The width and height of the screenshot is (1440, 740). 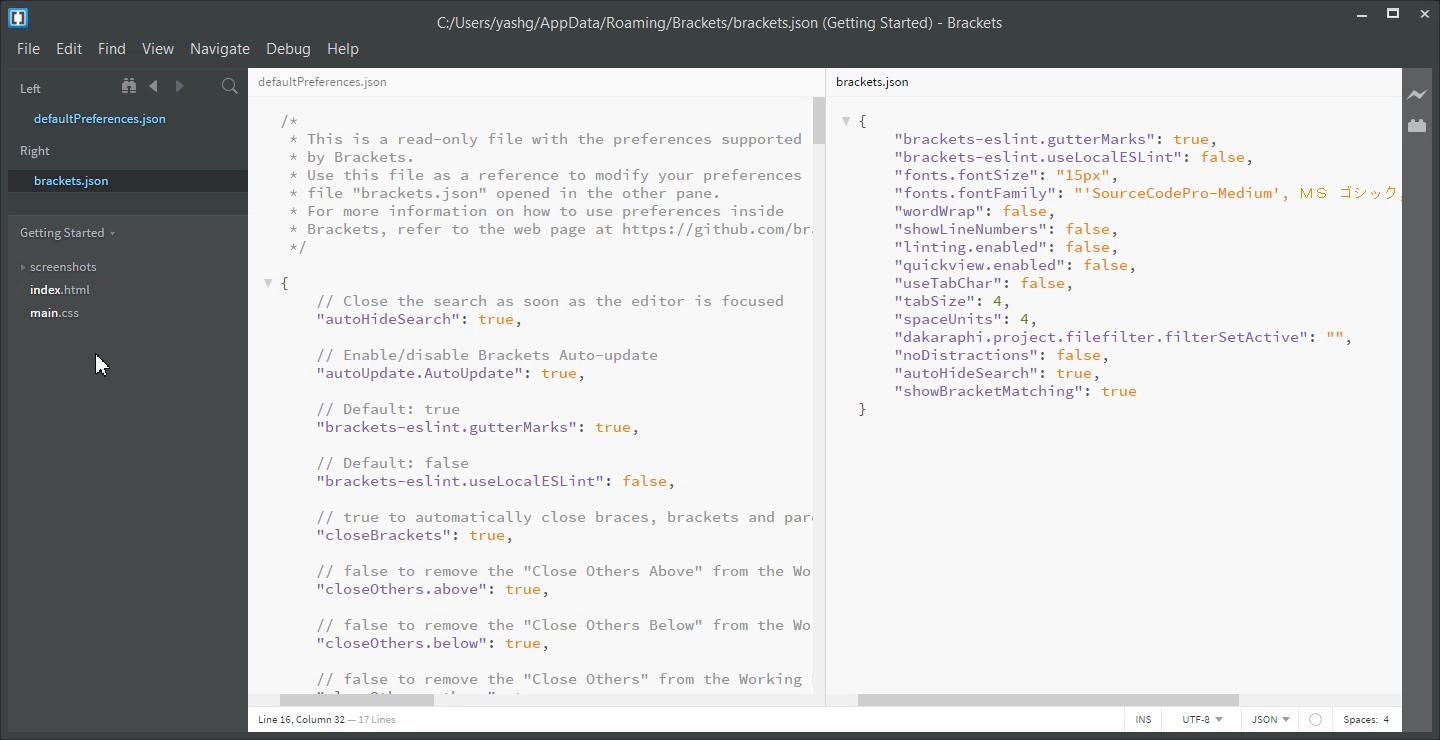 What do you see at coordinates (723, 24) in the screenshot?
I see `C:/Users/yashg/AppData/Roaming/Brackets/brackets json (Getting Started) - Brackets` at bounding box center [723, 24].